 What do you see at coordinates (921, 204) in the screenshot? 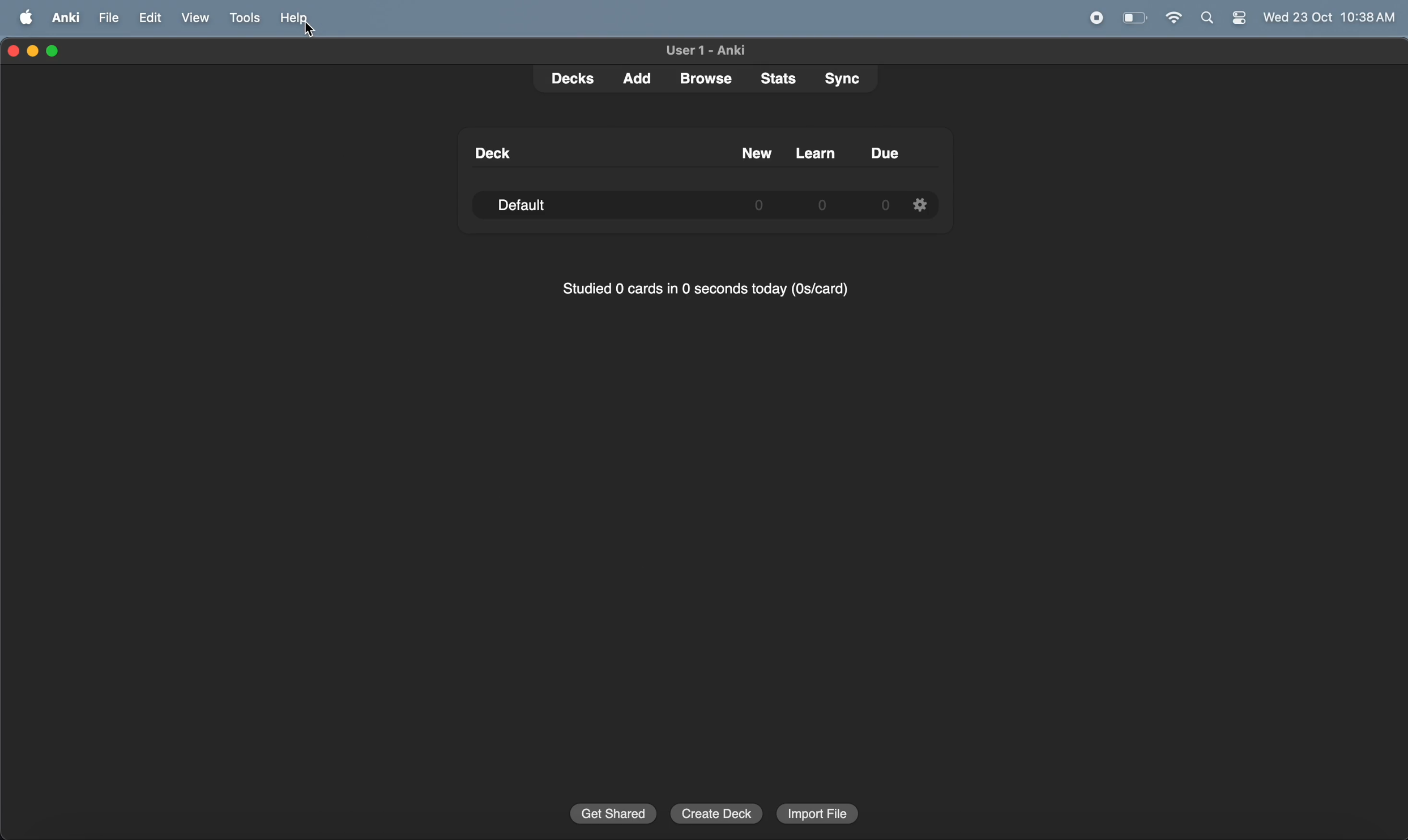
I see `setting` at bounding box center [921, 204].